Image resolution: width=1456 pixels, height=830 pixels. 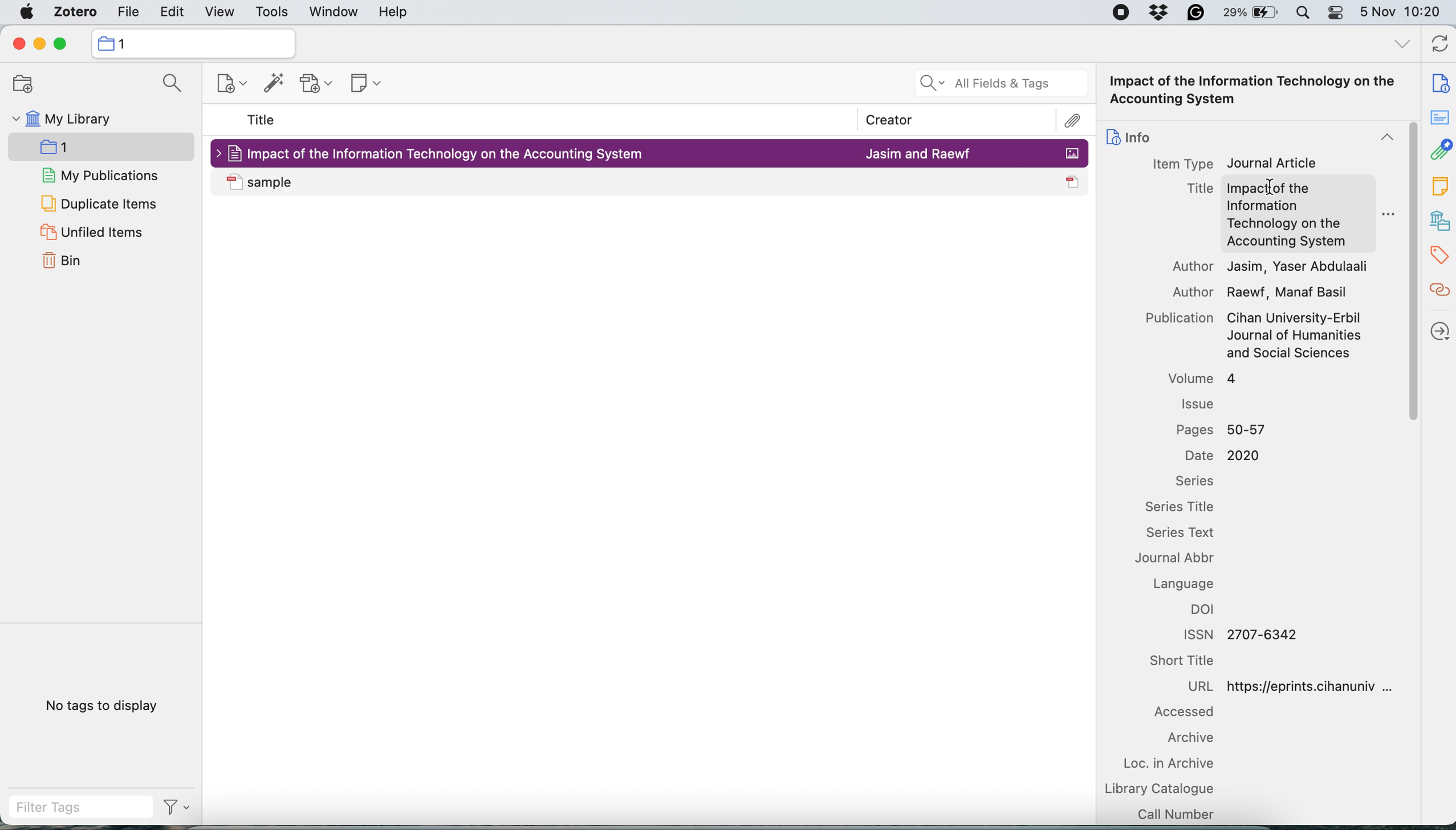 What do you see at coordinates (218, 13) in the screenshot?
I see `view` at bounding box center [218, 13].